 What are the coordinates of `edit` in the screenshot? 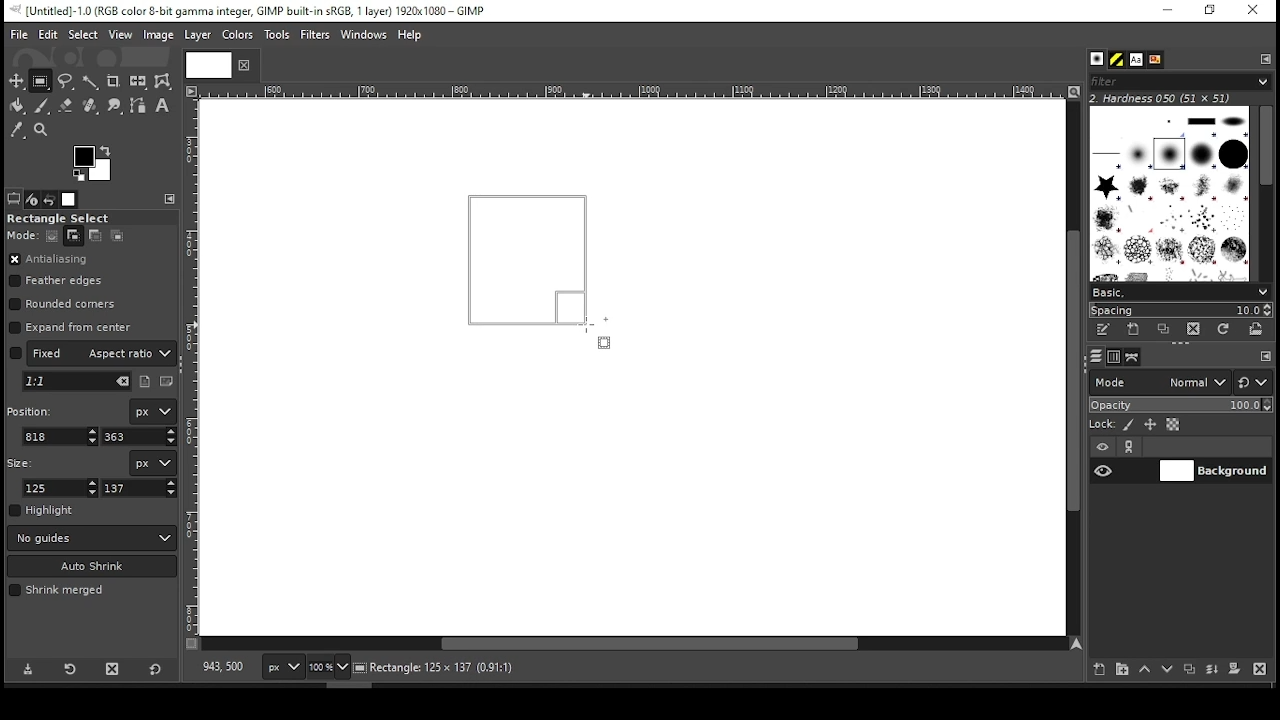 It's located at (48, 34).